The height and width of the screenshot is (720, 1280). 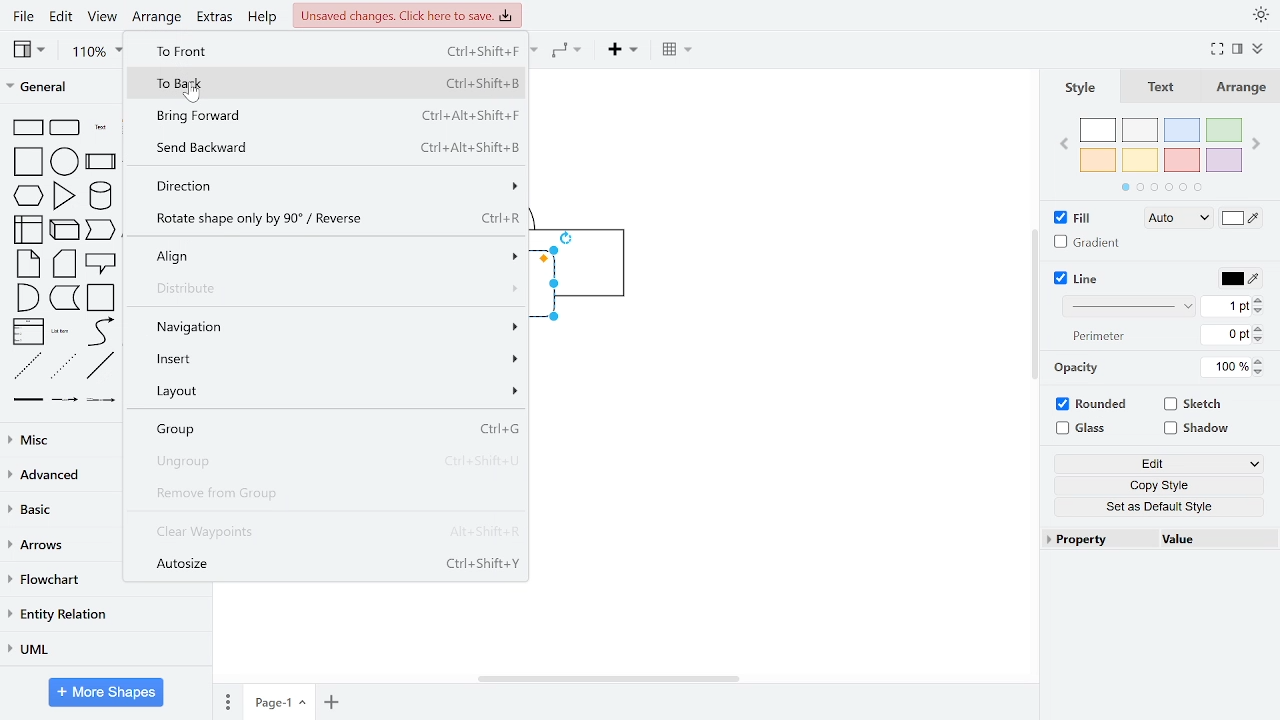 What do you see at coordinates (1162, 88) in the screenshot?
I see `text` at bounding box center [1162, 88].